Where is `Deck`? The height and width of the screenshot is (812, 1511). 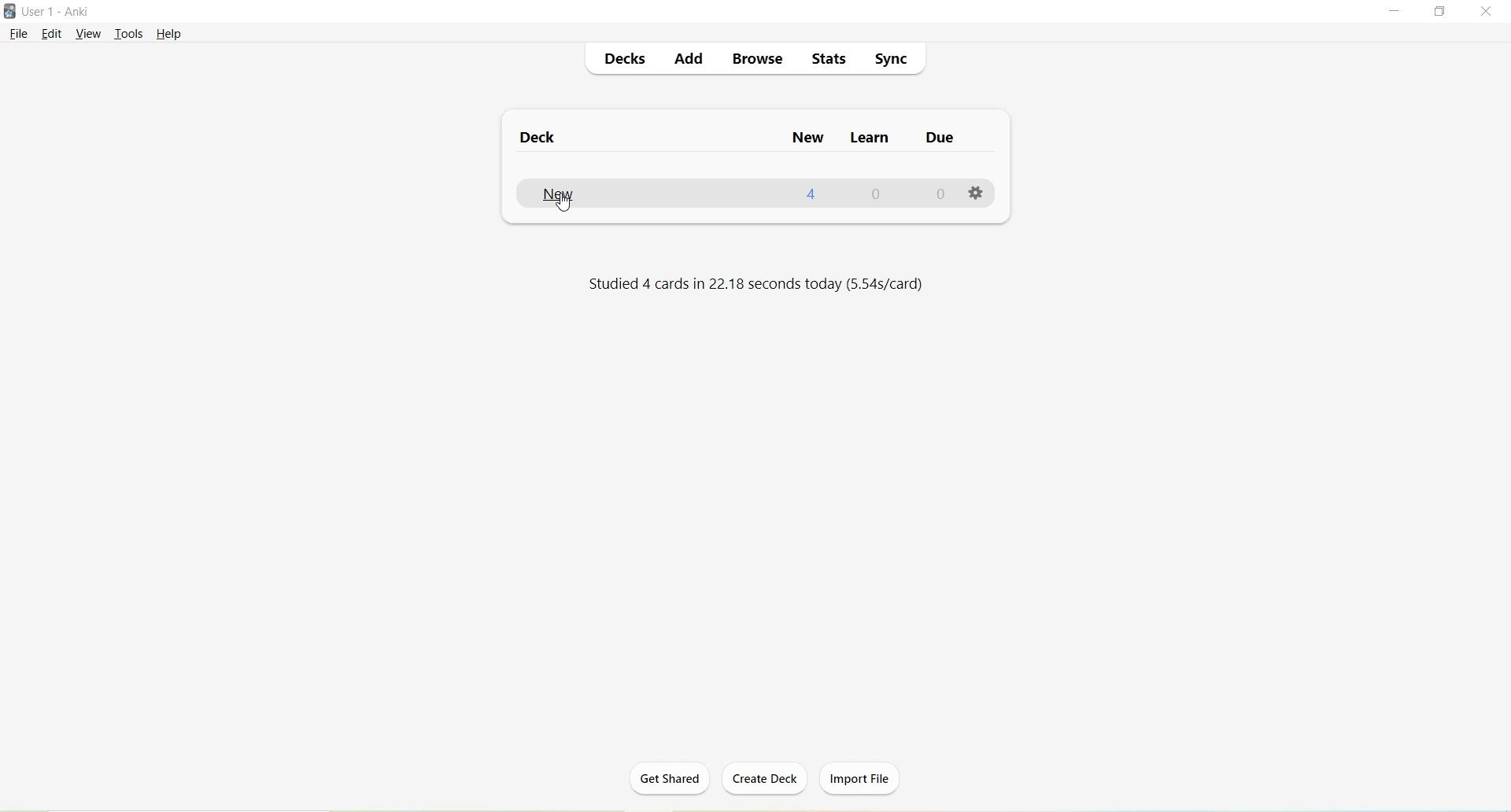 Deck is located at coordinates (542, 138).